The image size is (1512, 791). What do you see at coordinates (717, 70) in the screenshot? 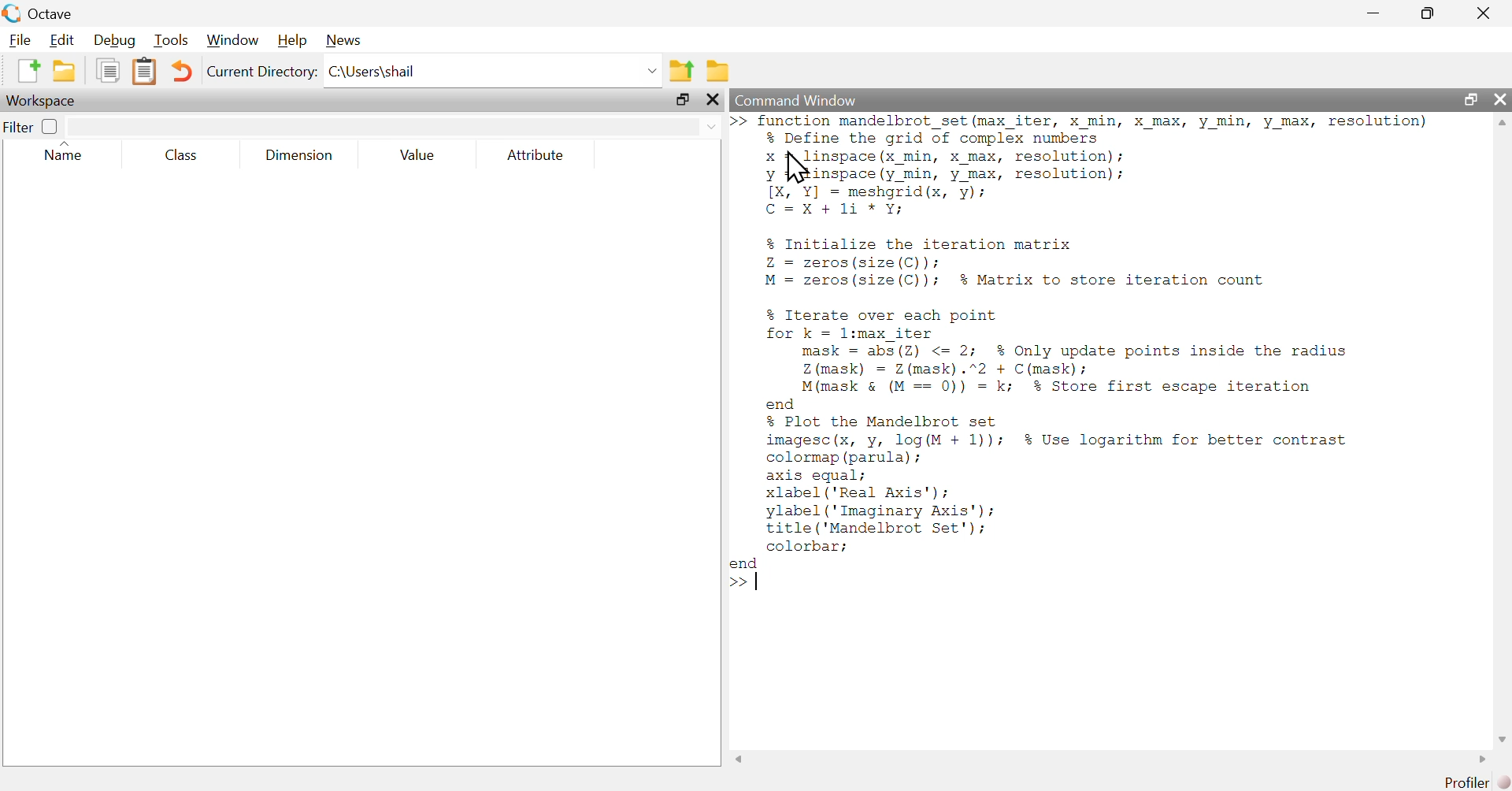
I see `Browse directories` at bounding box center [717, 70].